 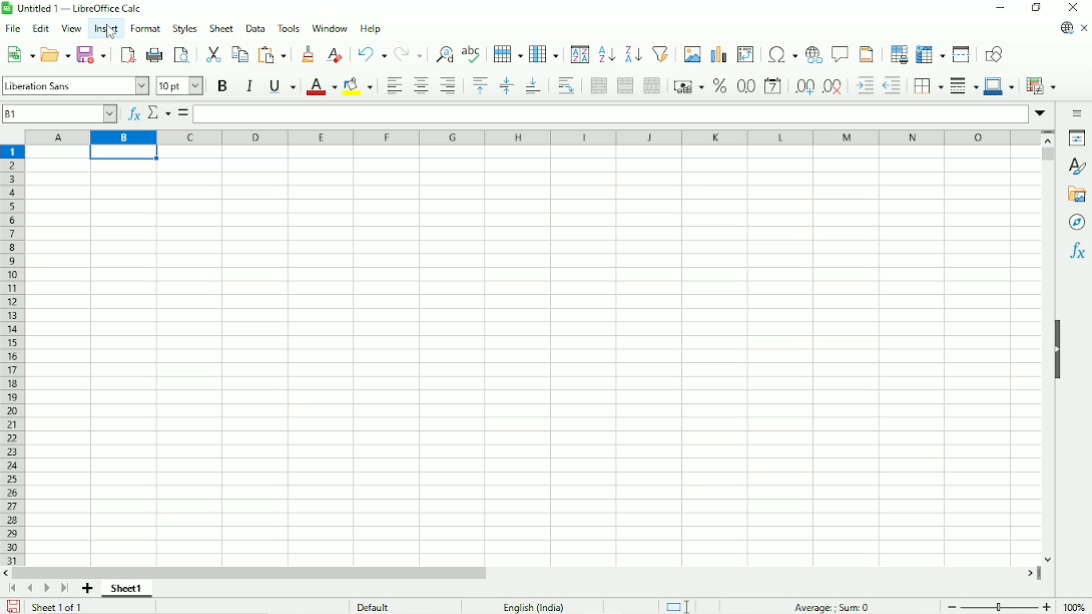 I want to click on Close document, so click(x=1085, y=28).